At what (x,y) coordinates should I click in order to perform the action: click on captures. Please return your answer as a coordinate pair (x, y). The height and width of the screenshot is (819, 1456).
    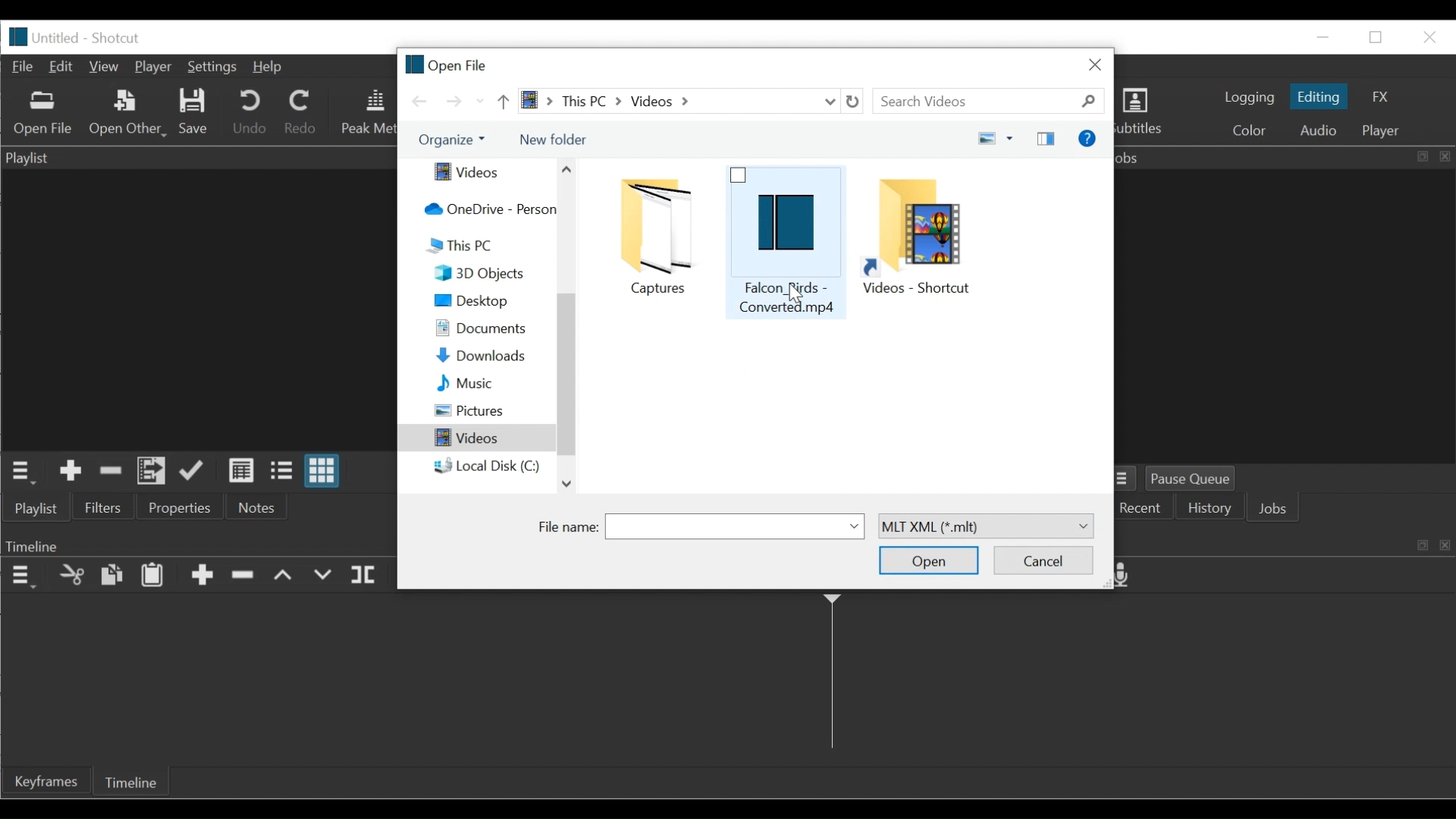
    Looking at the image, I should click on (654, 236).